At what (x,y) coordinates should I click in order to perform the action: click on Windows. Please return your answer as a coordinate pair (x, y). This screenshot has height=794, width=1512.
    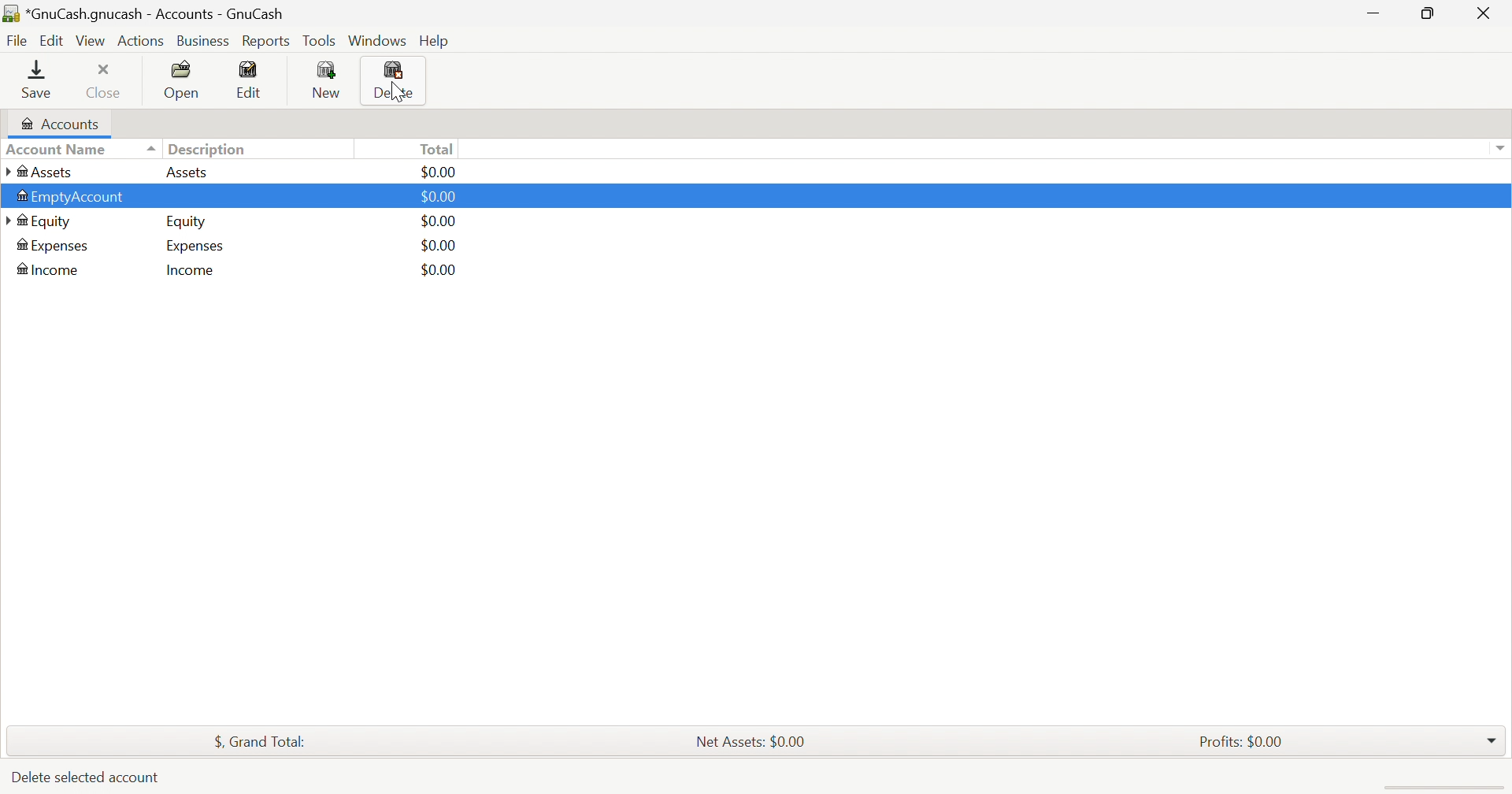
    Looking at the image, I should click on (380, 42).